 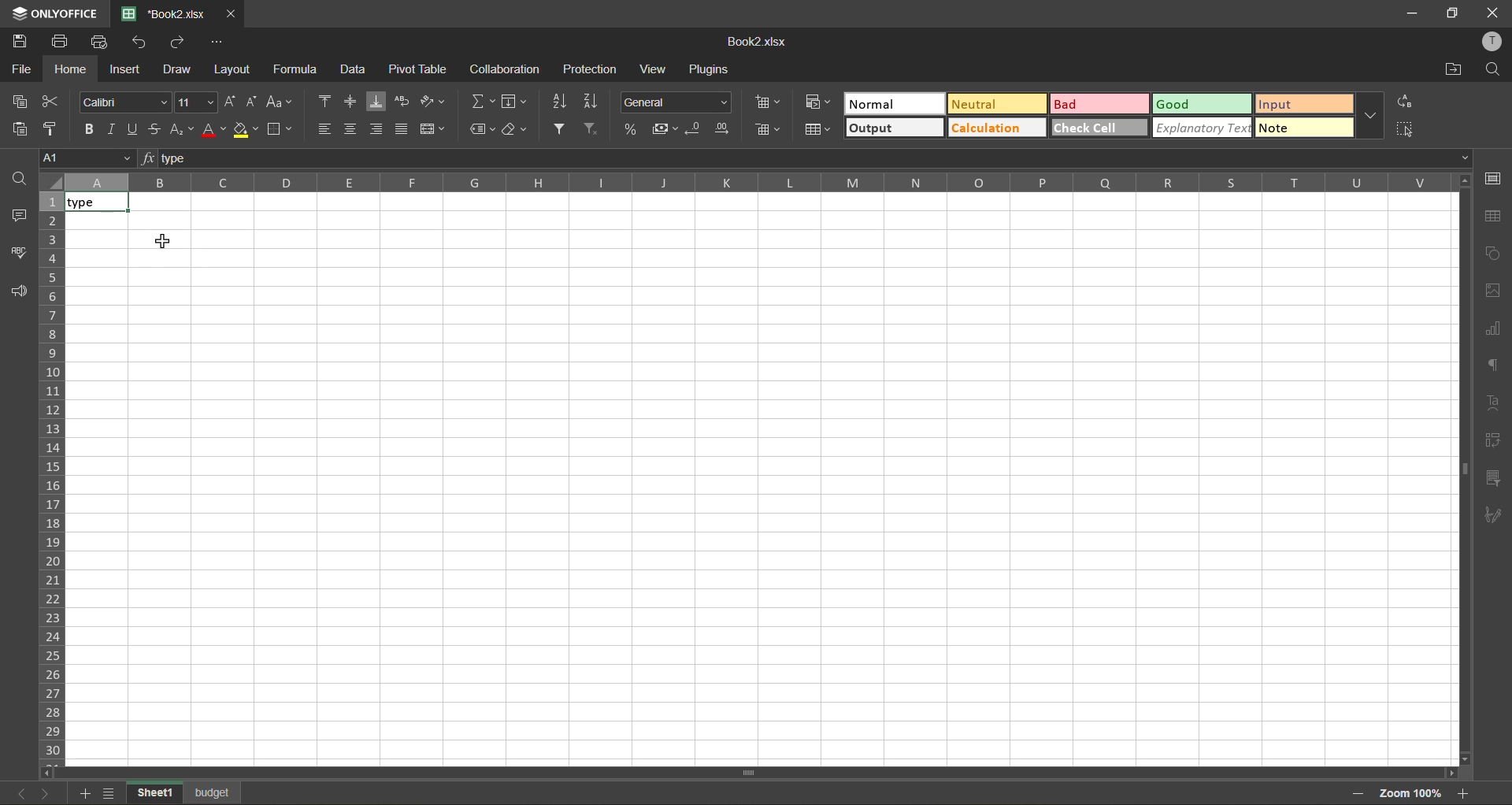 What do you see at coordinates (185, 792) in the screenshot?
I see `sheet names` at bounding box center [185, 792].